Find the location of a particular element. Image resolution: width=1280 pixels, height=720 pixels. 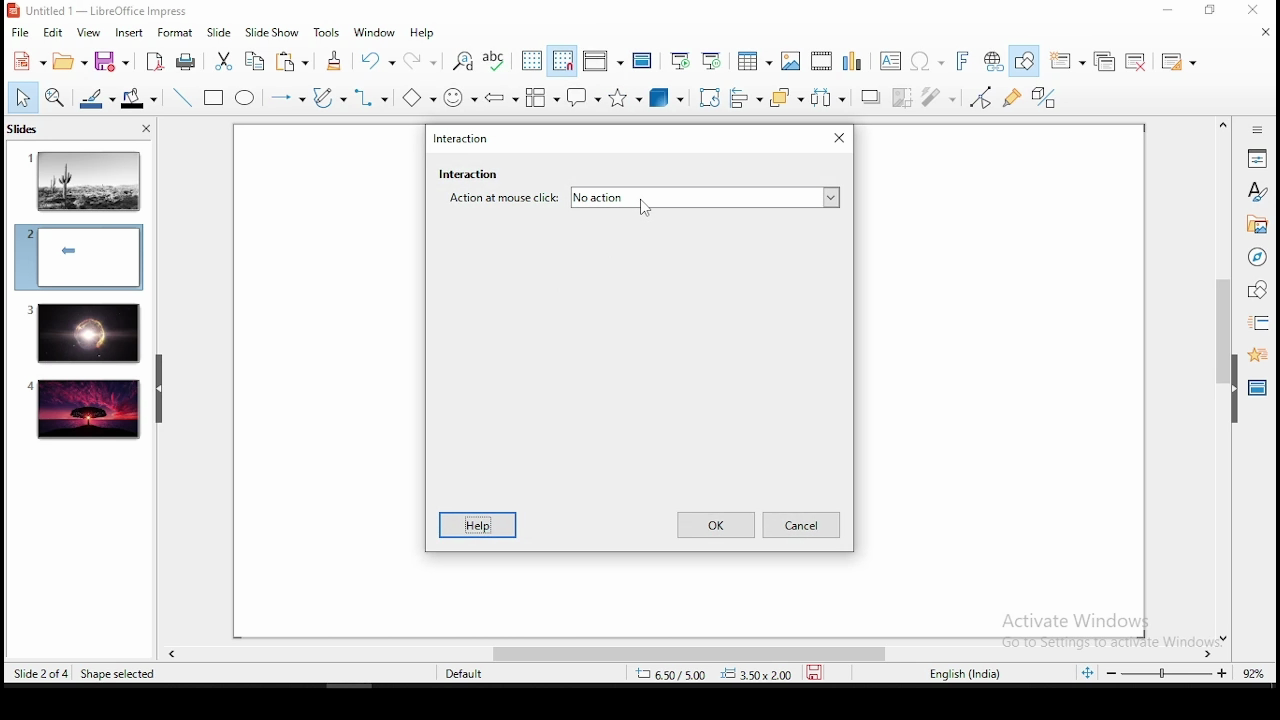

start from current slide is located at coordinates (713, 60).